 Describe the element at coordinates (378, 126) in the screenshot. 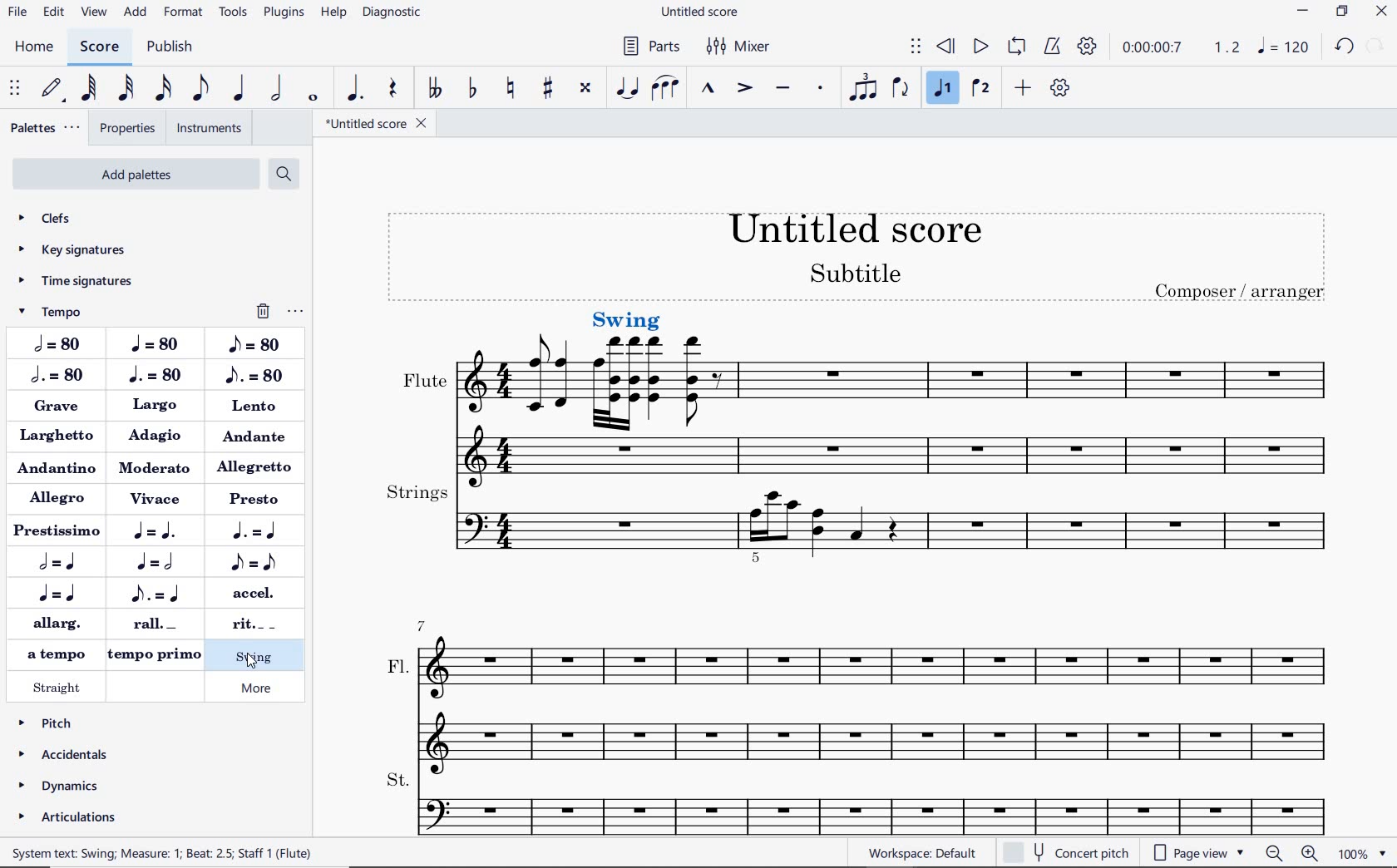

I see `file name` at that location.